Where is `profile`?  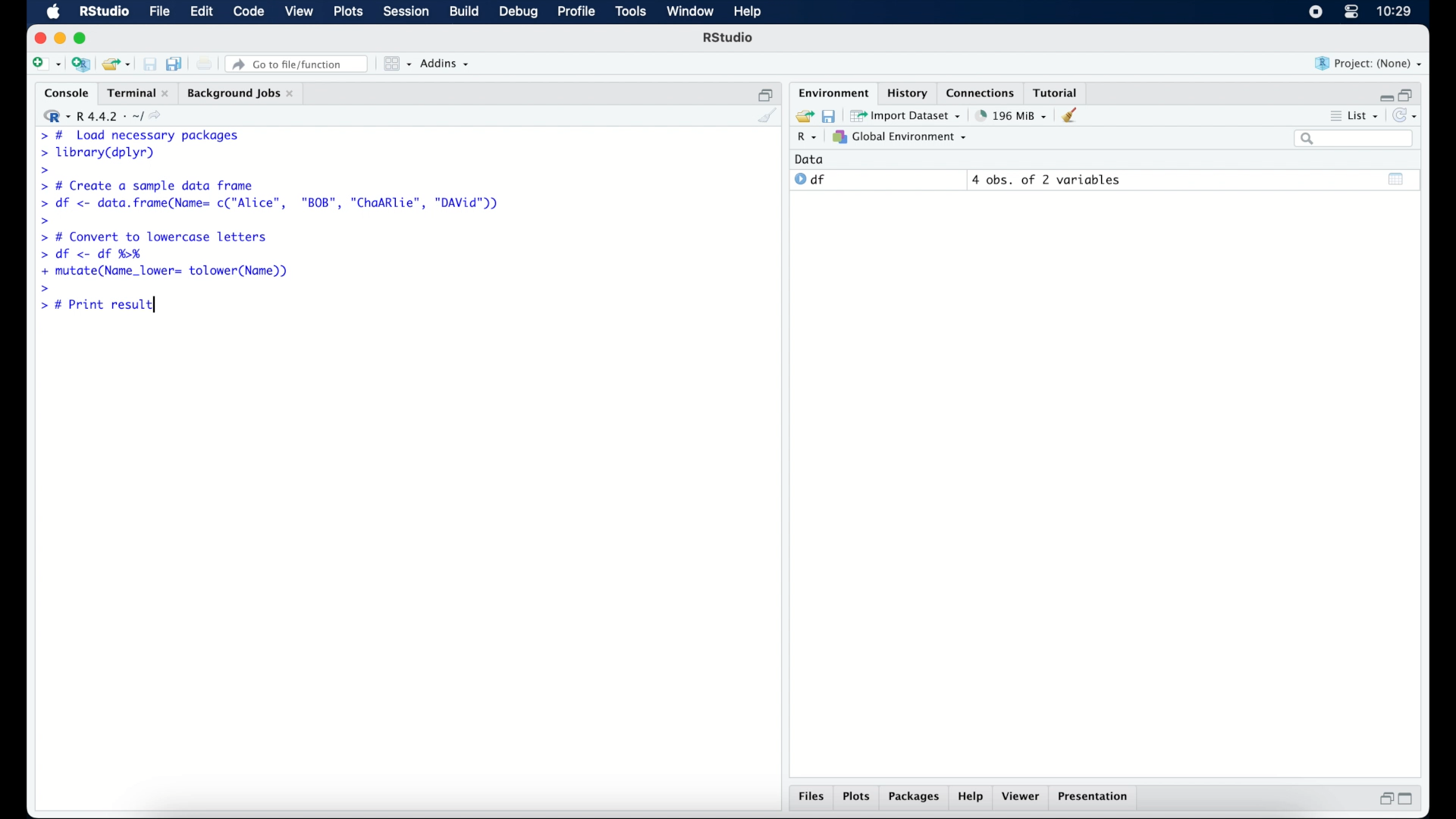 profile is located at coordinates (576, 12).